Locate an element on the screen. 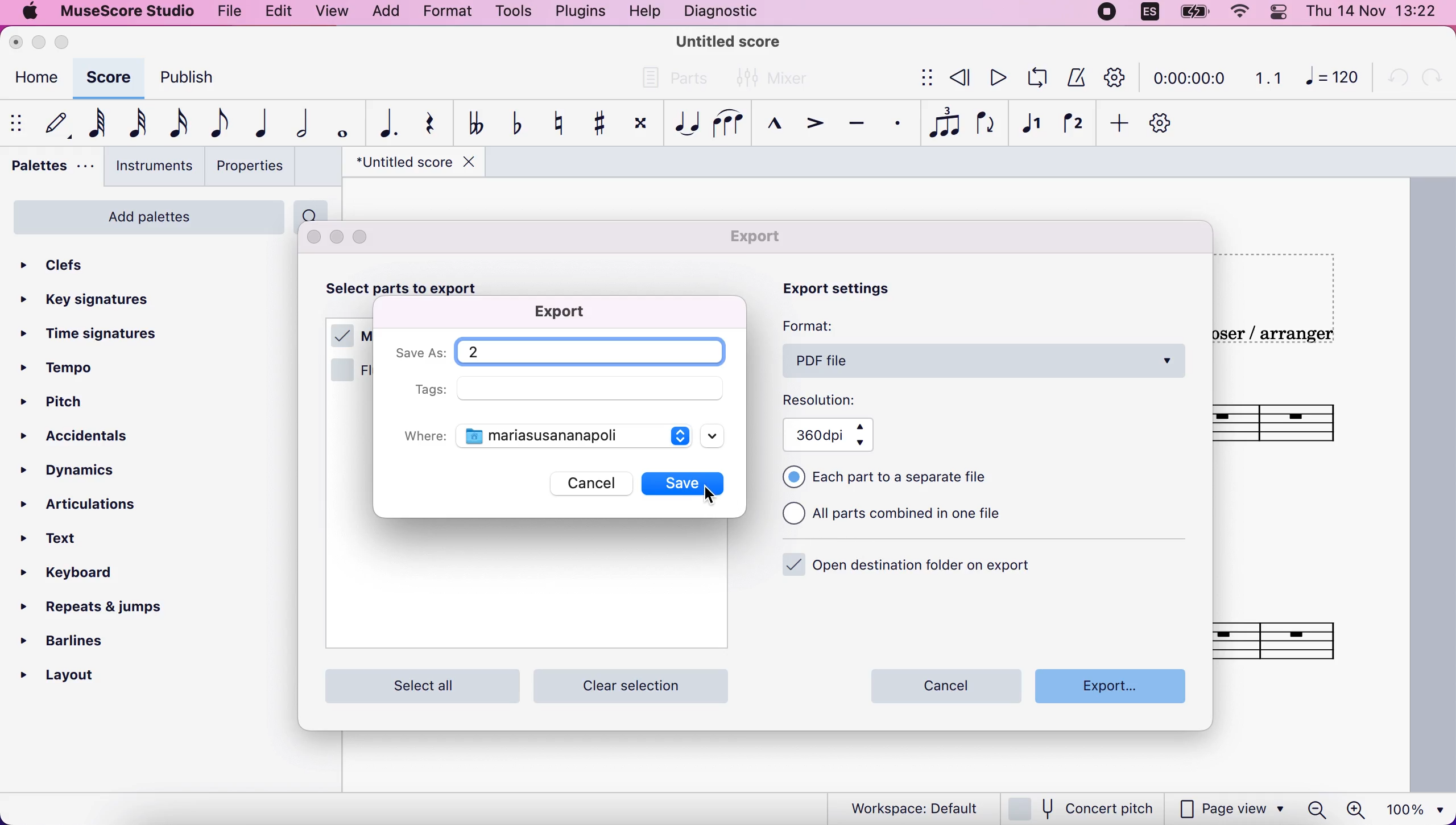  minimize is located at coordinates (40, 43).